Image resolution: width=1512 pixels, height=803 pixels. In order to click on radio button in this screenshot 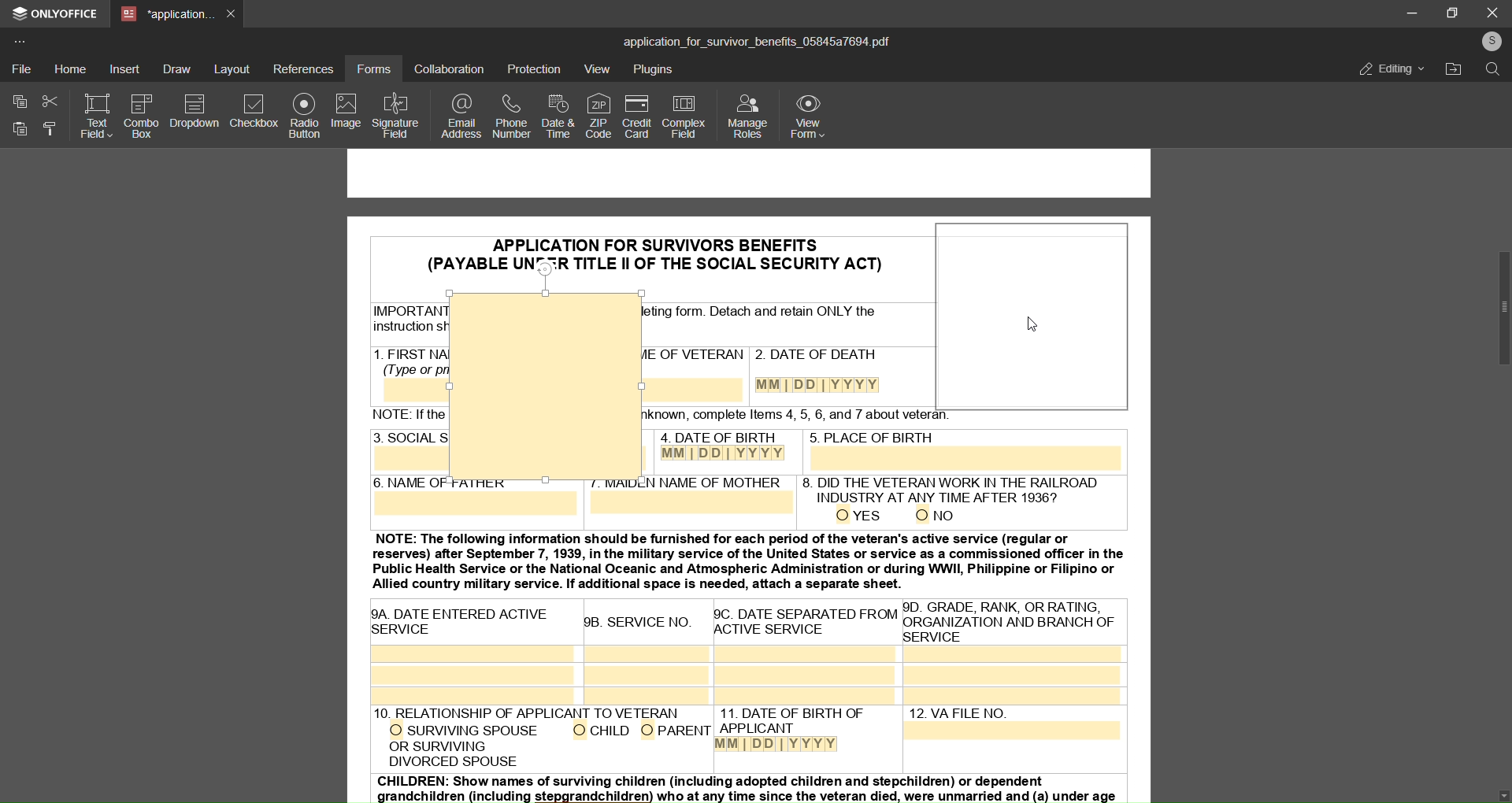, I will do `click(303, 117)`.